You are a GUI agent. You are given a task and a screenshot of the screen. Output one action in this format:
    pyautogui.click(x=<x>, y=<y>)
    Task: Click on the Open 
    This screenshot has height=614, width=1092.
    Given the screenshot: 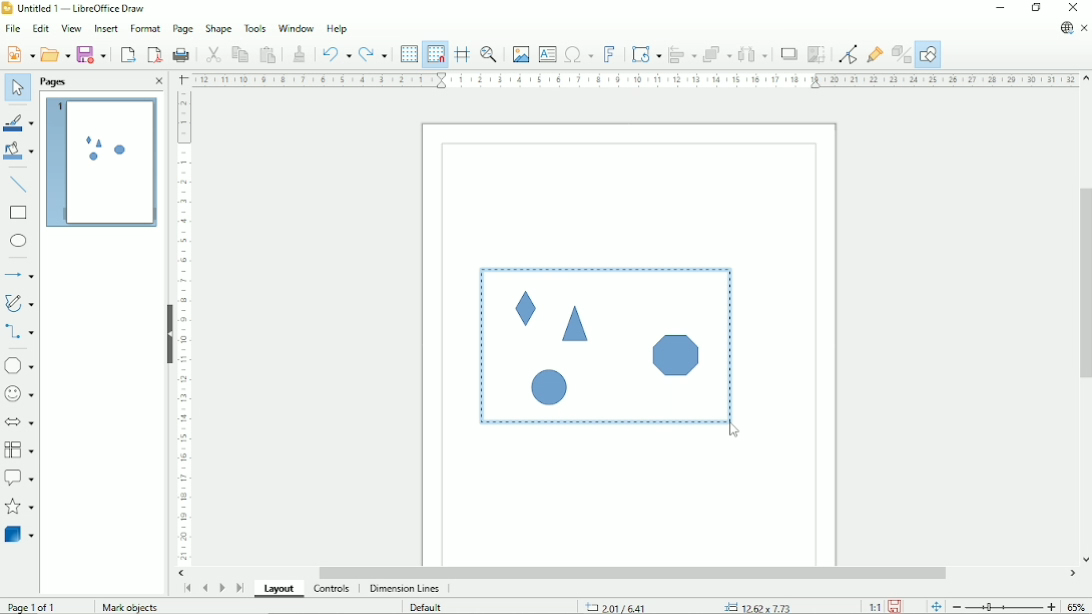 What is the action you would take?
    pyautogui.click(x=55, y=55)
    